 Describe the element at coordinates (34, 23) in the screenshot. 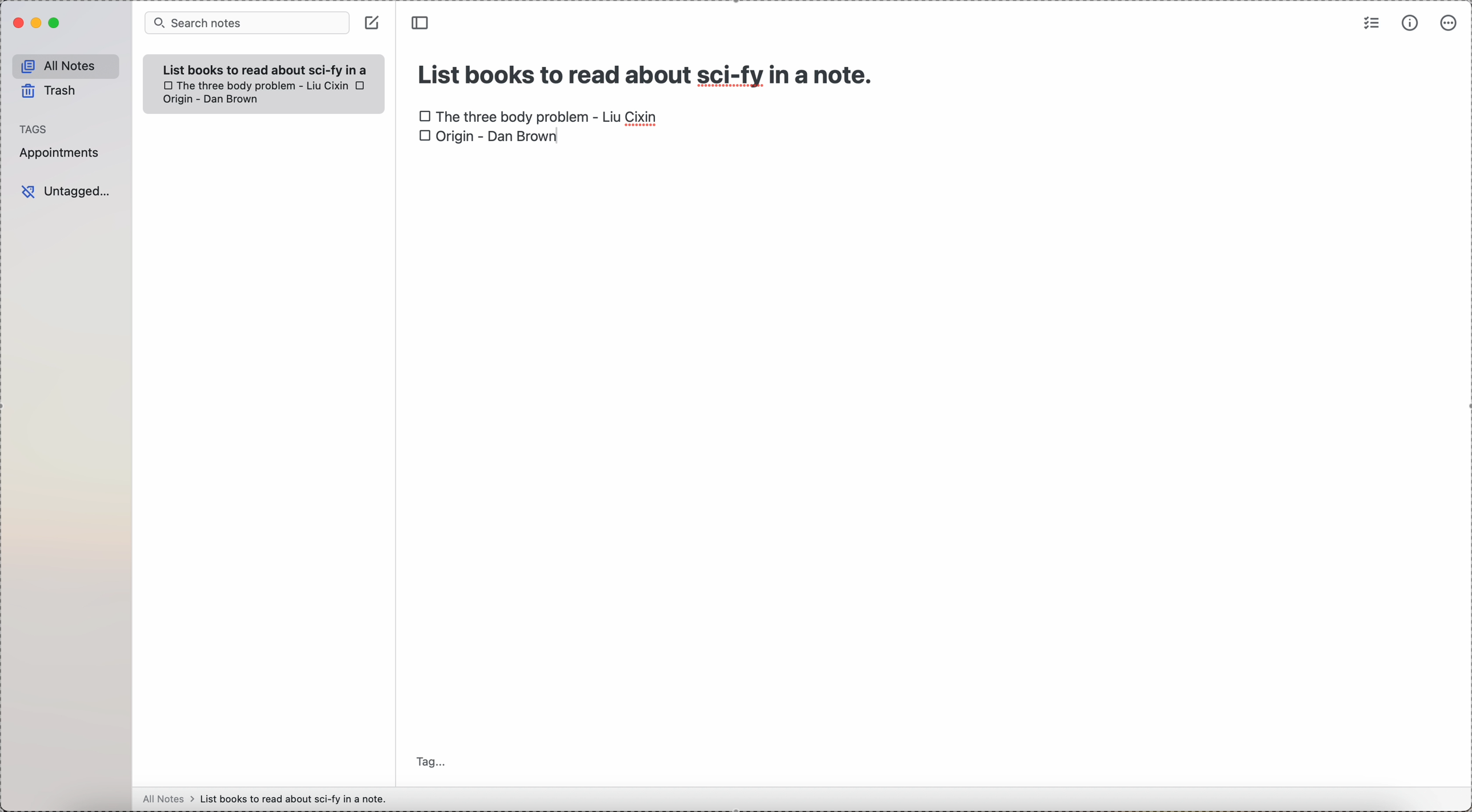

I see `minimize` at that location.